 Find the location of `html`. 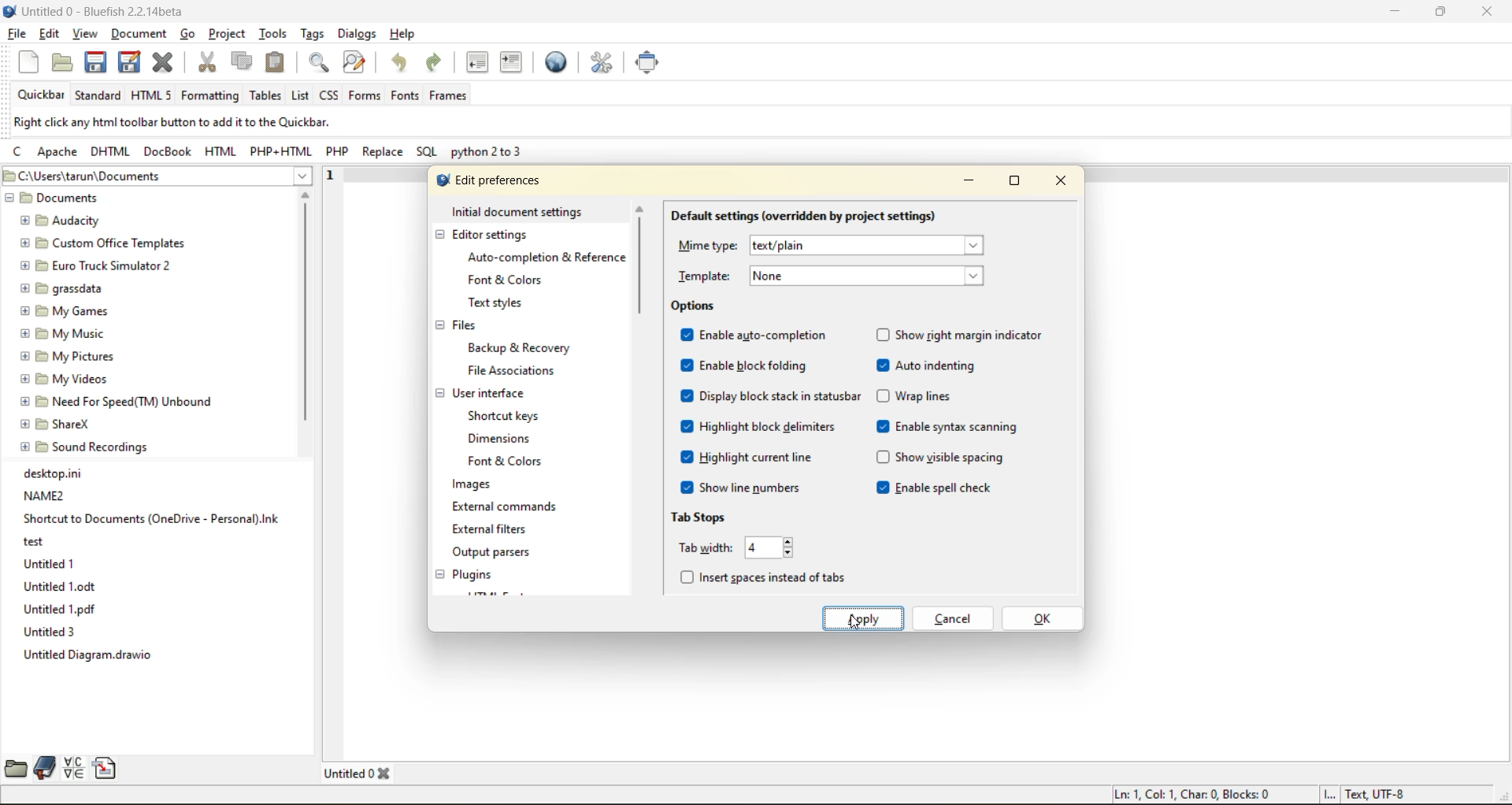

html is located at coordinates (220, 150).